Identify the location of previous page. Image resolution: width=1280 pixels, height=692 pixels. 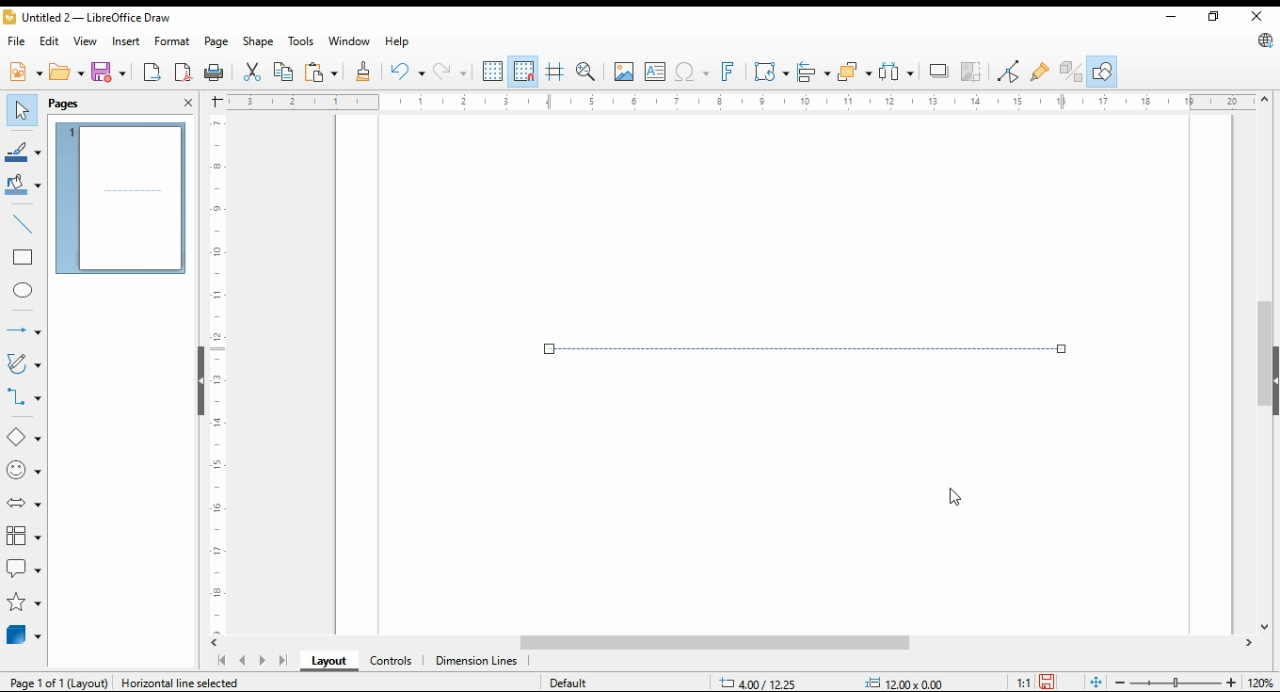
(243, 662).